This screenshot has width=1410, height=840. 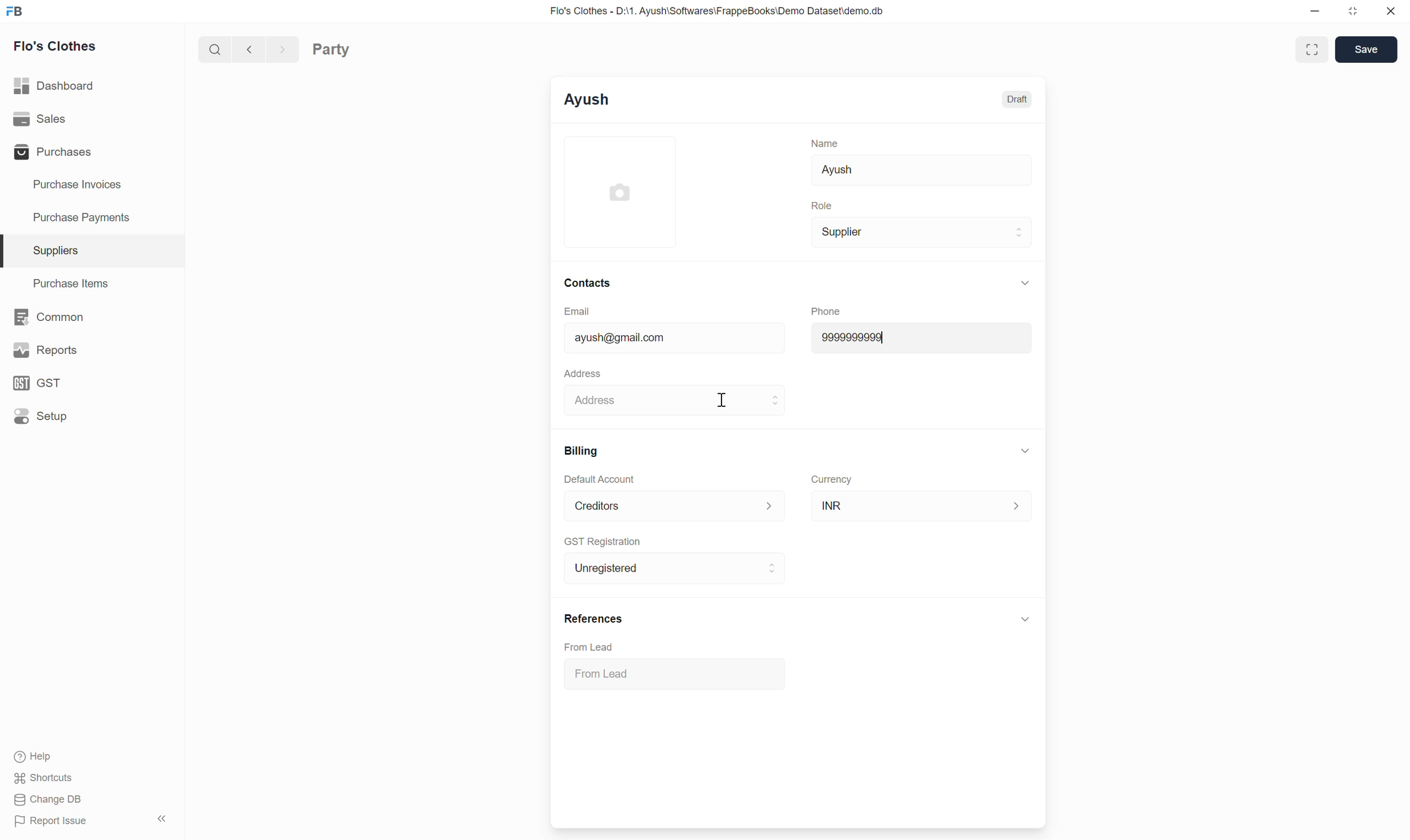 What do you see at coordinates (162, 818) in the screenshot?
I see `Collapse sidebar` at bounding box center [162, 818].